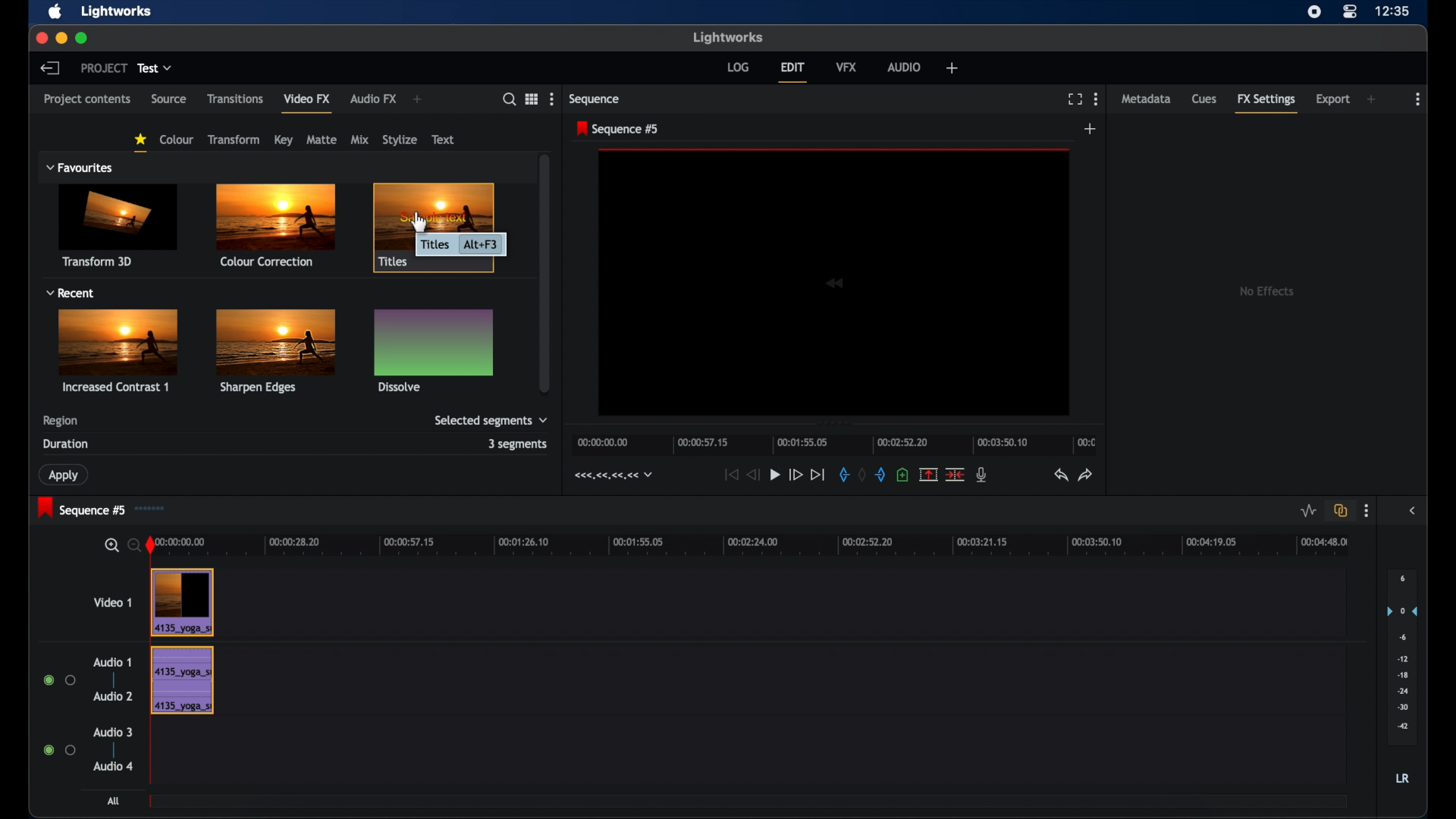  What do you see at coordinates (618, 129) in the screenshot?
I see `sequence 5` at bounding box center [618, 129].